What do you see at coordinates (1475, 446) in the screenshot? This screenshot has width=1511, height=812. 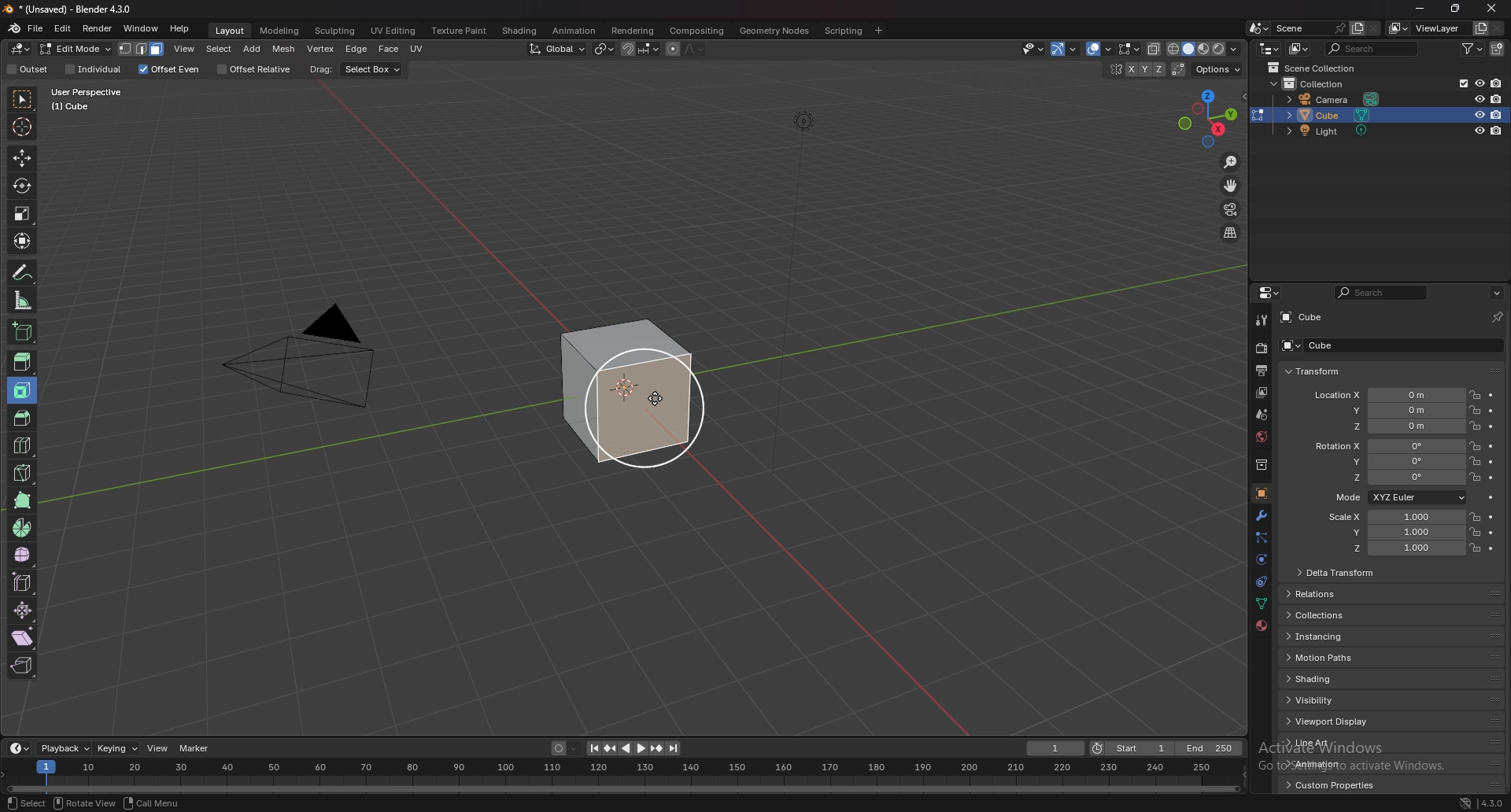 I see `lock` at bounding box center [1475, 446].